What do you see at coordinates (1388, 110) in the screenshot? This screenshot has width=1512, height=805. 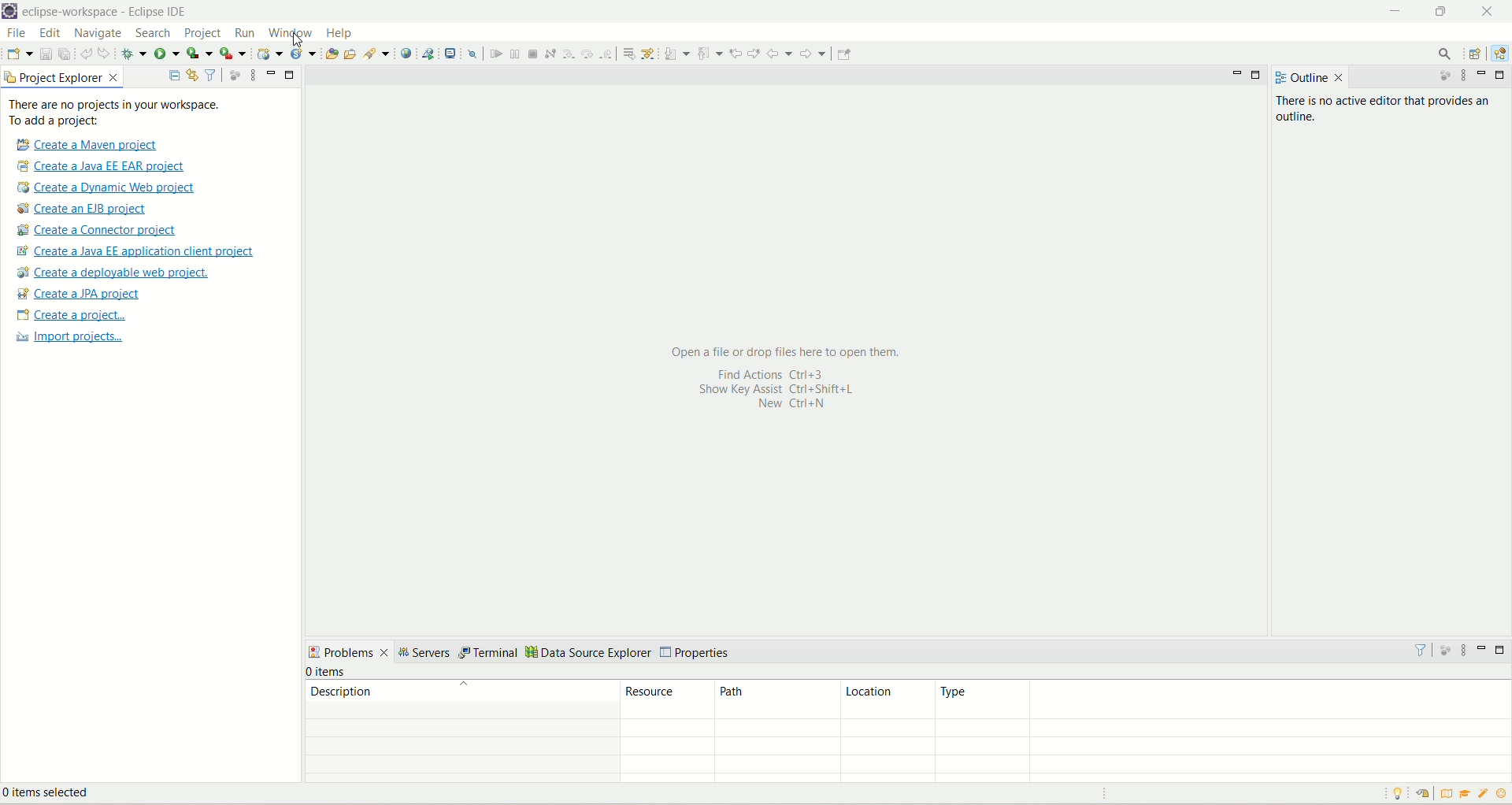 I see `There is no active editor that provides outline.` at bounding box center [1388, 110].